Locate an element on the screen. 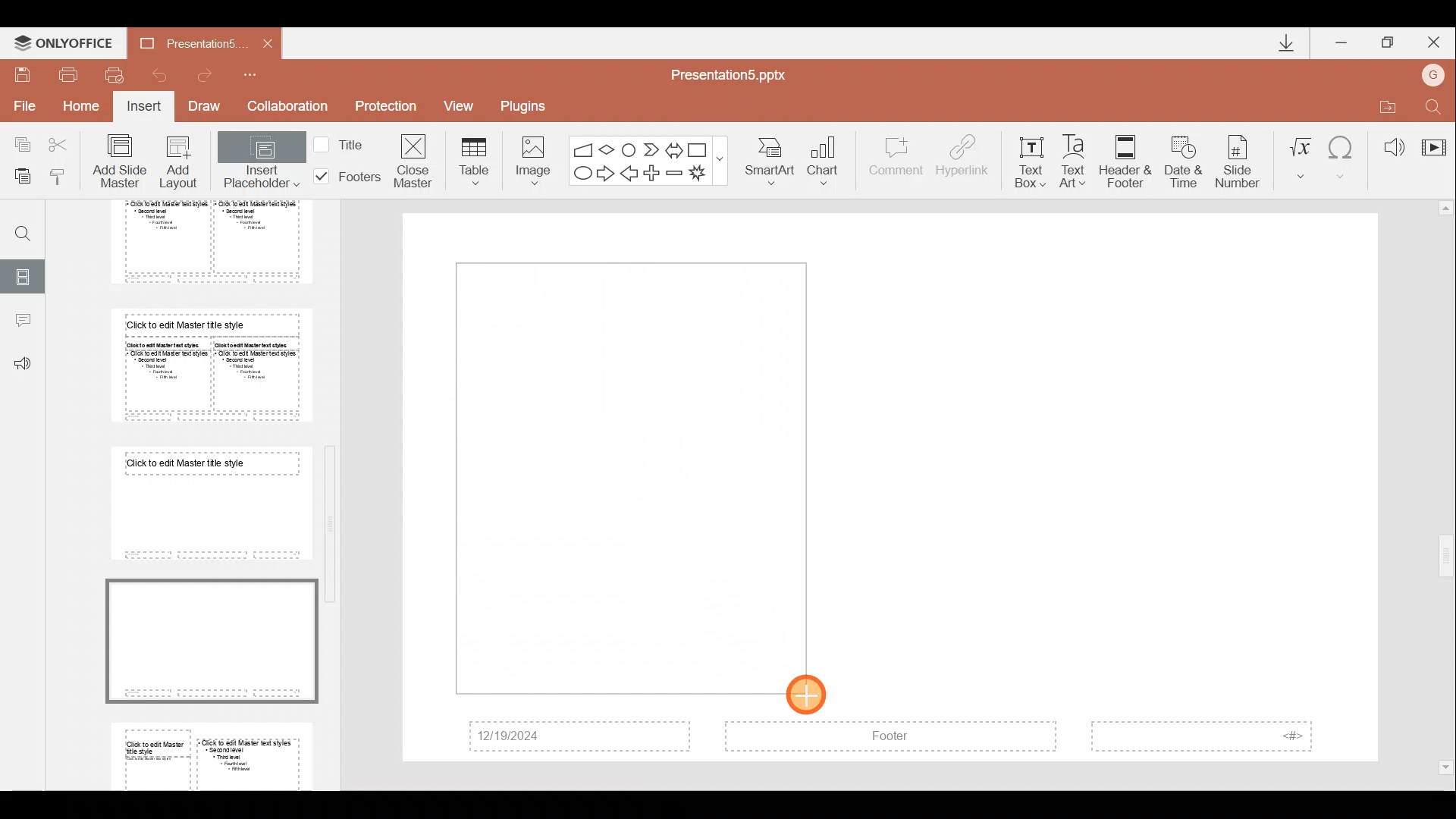 The image size is (1456, 819). Collaboration is located at coordinates (287, 106).